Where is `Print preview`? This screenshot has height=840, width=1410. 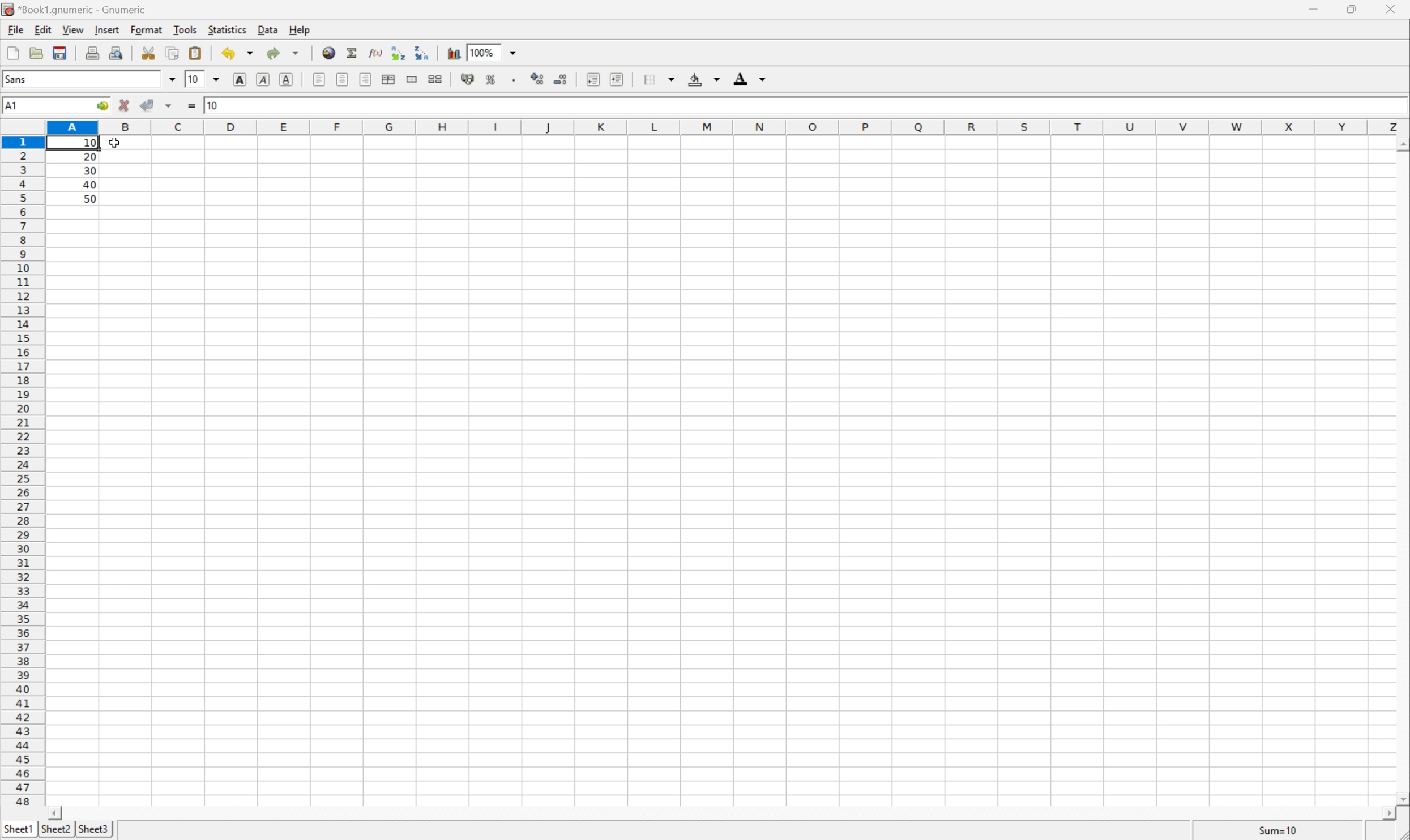
Print preview is located at coordinates (117, 52).